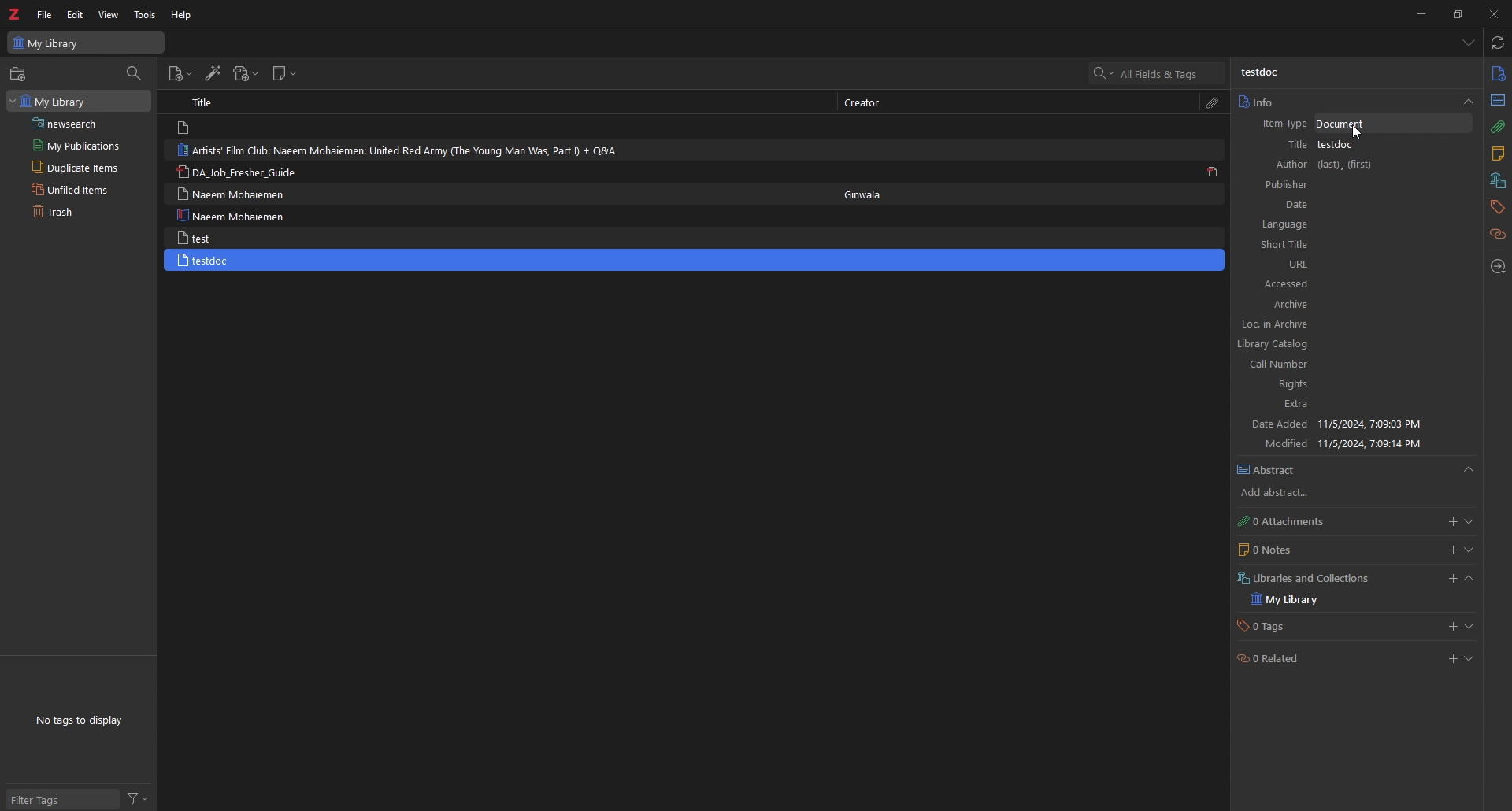 The image size is (1512, 811). I want to click on filter tags, so click(64, 799).